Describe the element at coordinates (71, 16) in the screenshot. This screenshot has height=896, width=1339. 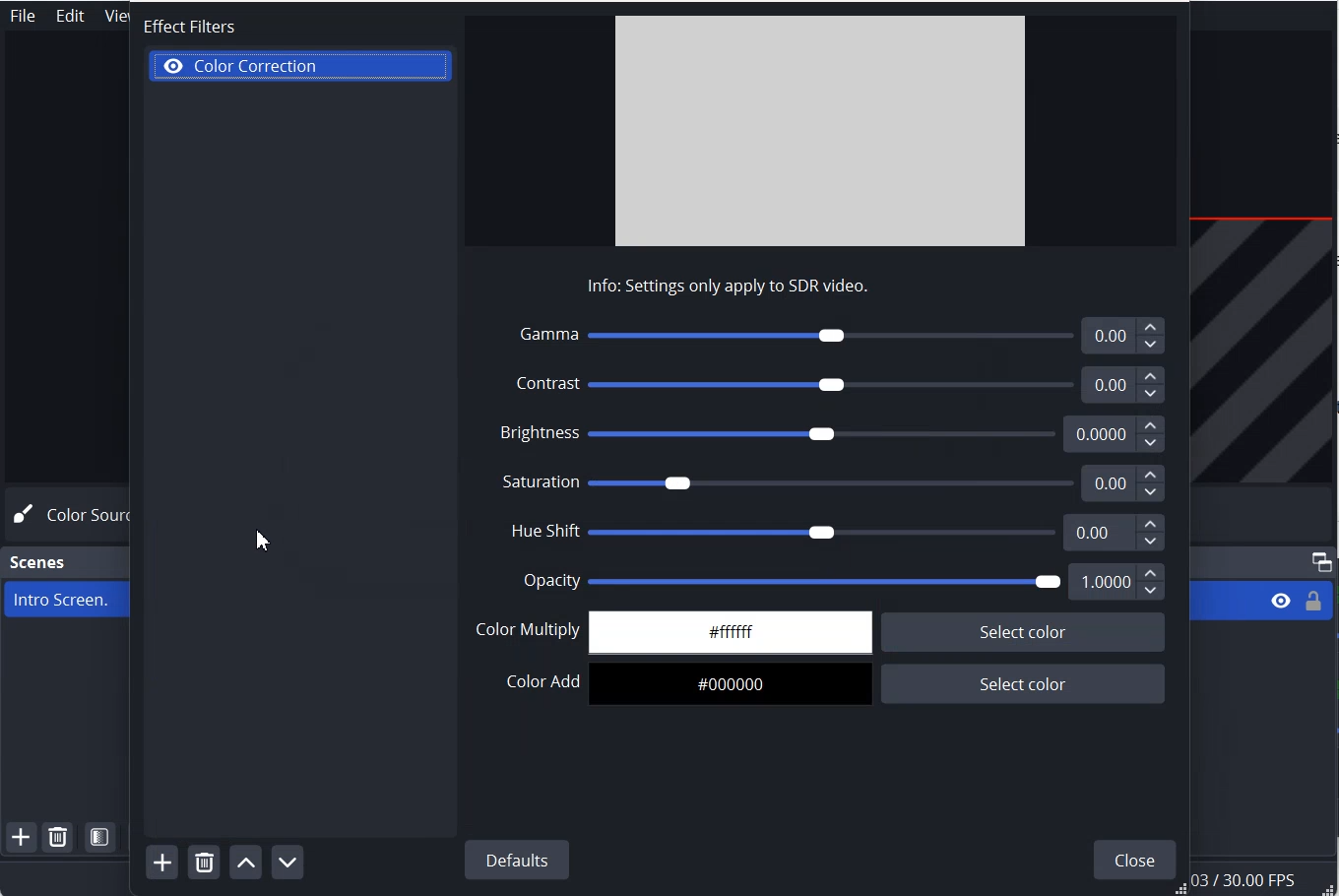
I see `Edit` at that location.